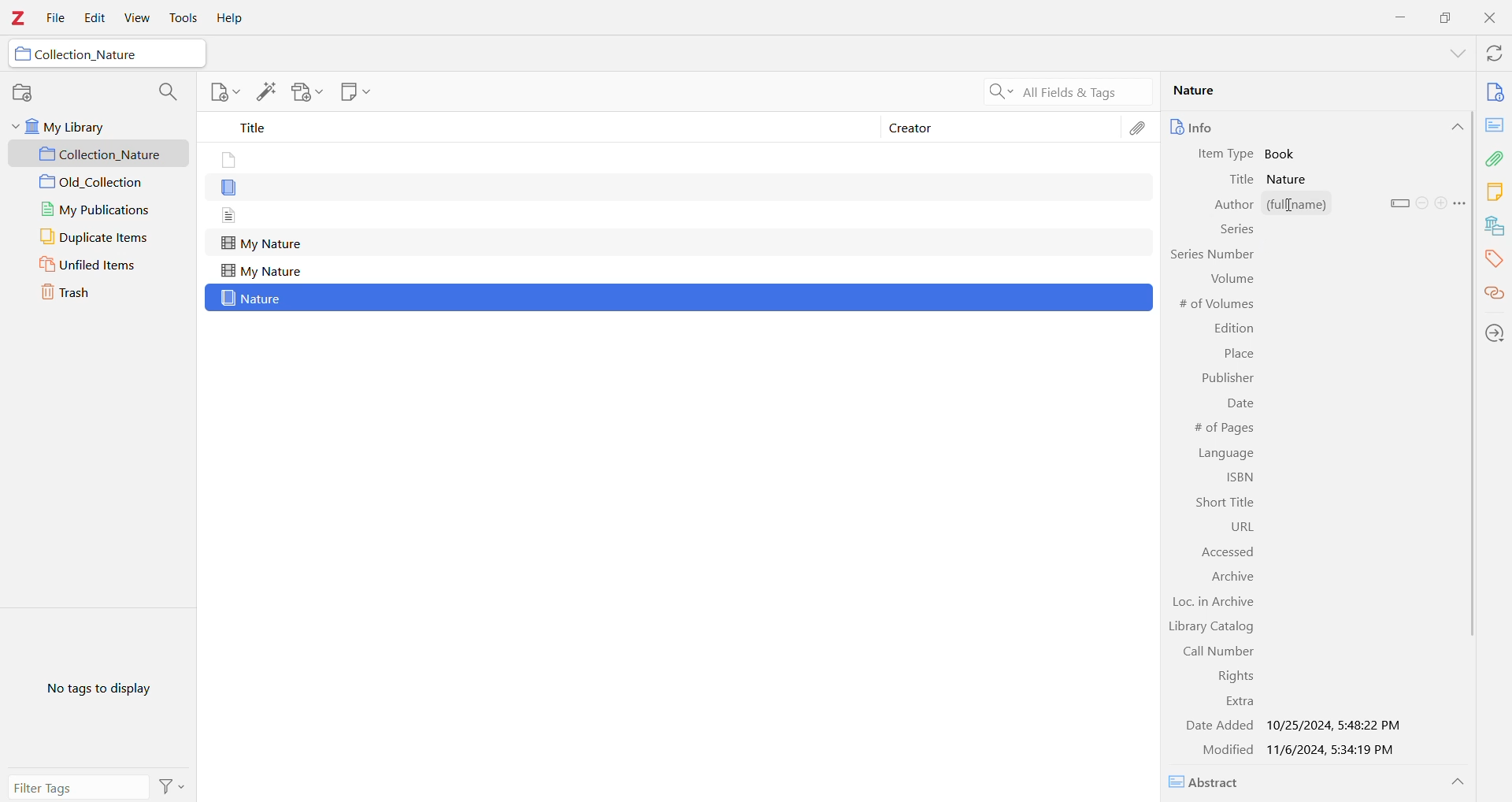  I want to click on (full name), so click(1322, 204).